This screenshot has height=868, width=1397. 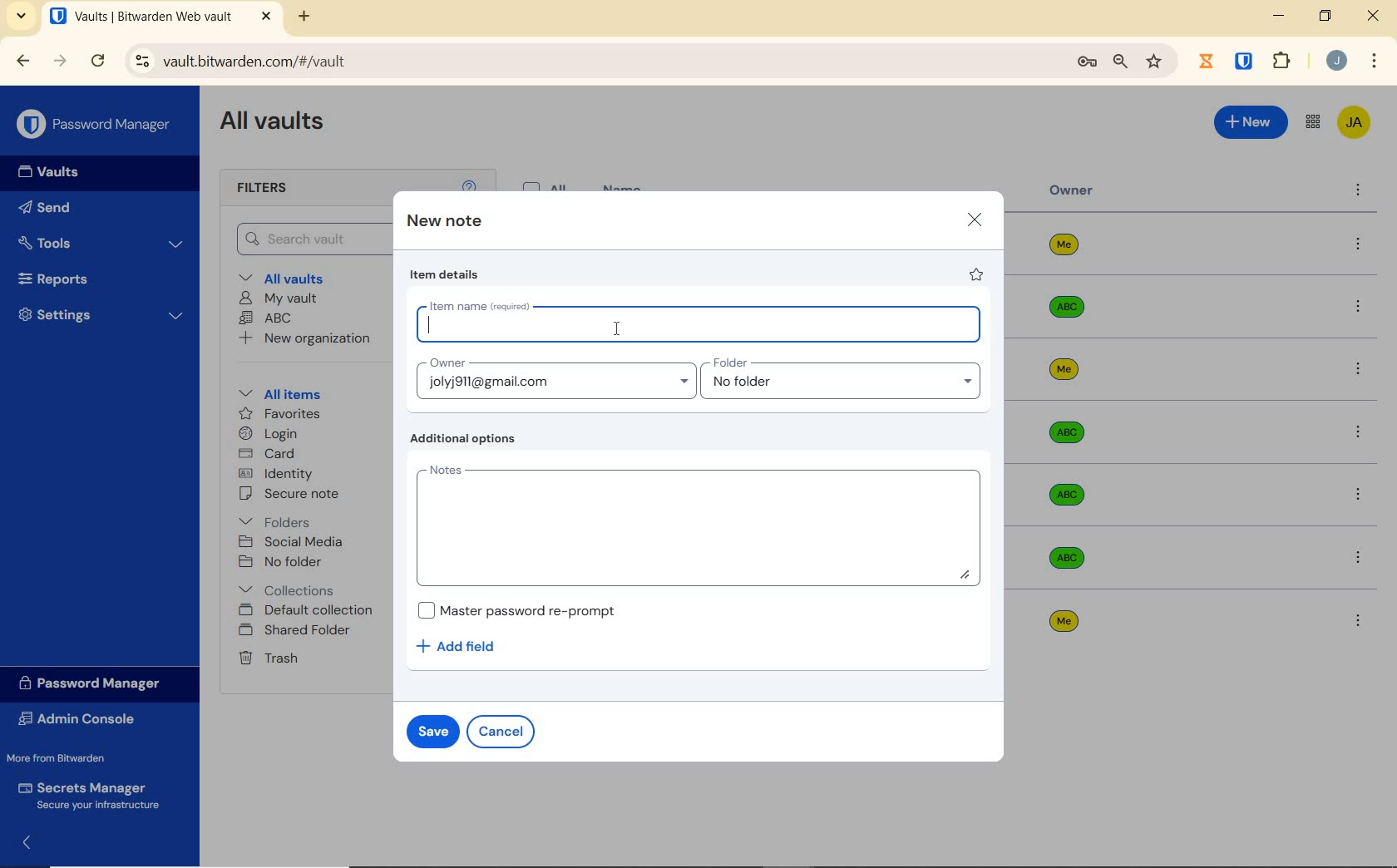 What do you see at coordinates (1337, 62) in the screenshot?
I see `Account` at bounding box center [1337, 62].